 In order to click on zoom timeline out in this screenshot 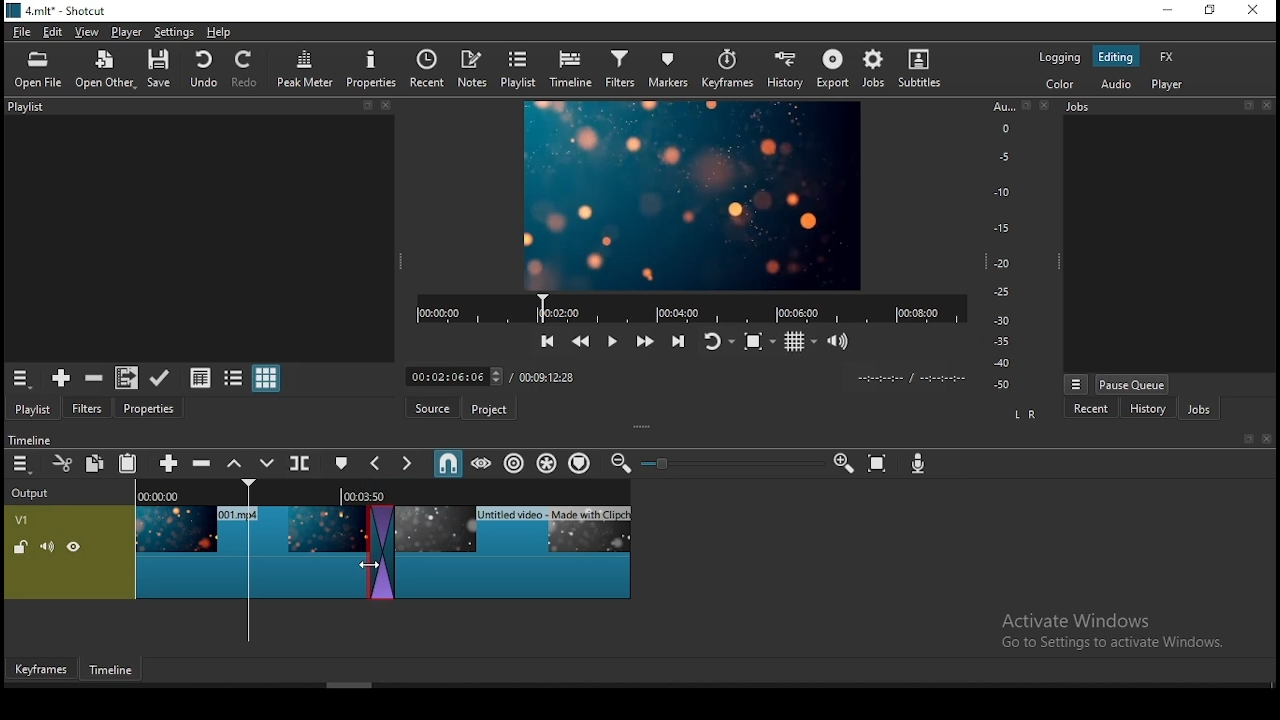, I will do `click(619, 464)`.